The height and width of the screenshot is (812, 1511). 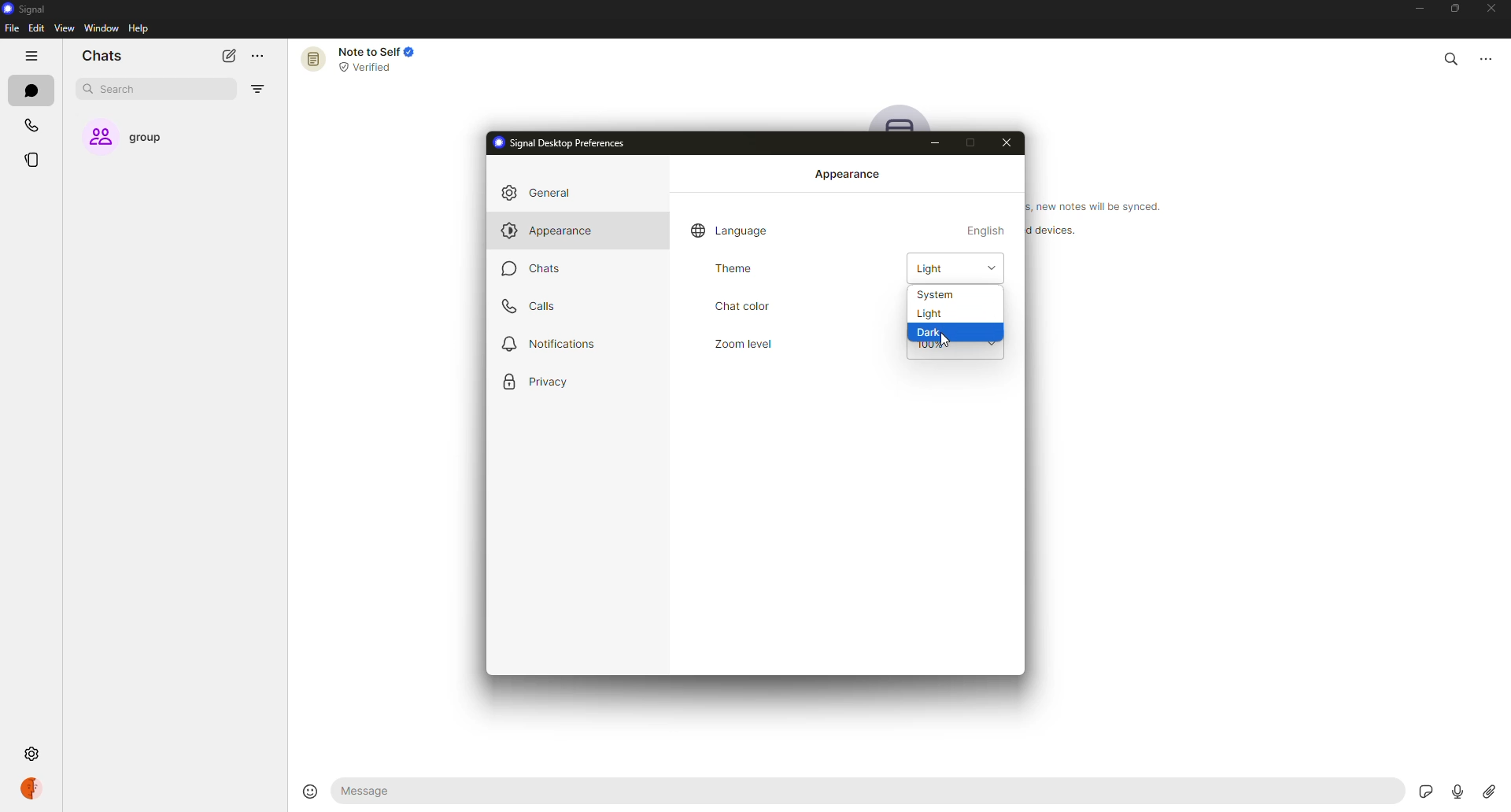 What do you see at coordinates (902, 118) in the screenshot?
I see `profile pic` at bounding box center [902, 118].